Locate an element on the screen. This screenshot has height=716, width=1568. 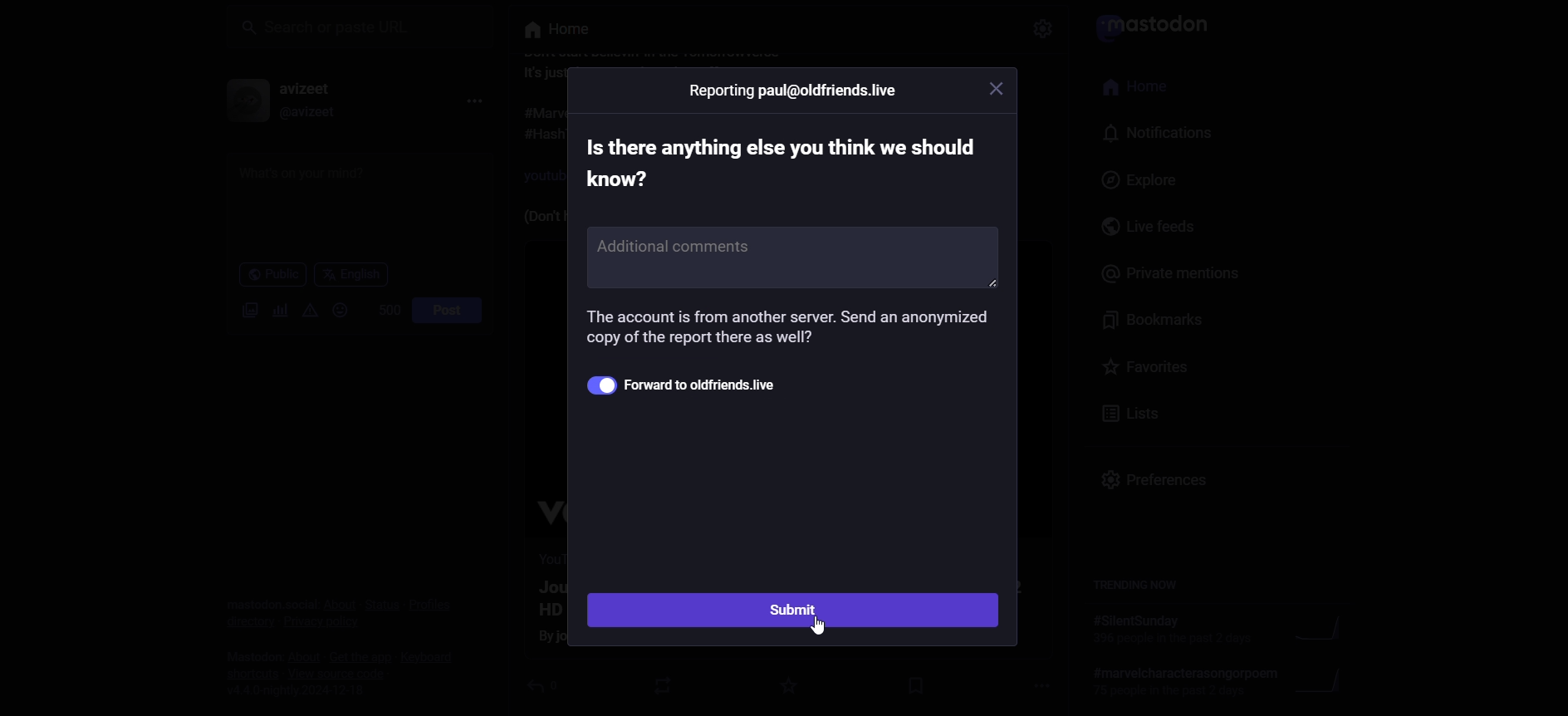
its something else is located at coordinates (555, 30).